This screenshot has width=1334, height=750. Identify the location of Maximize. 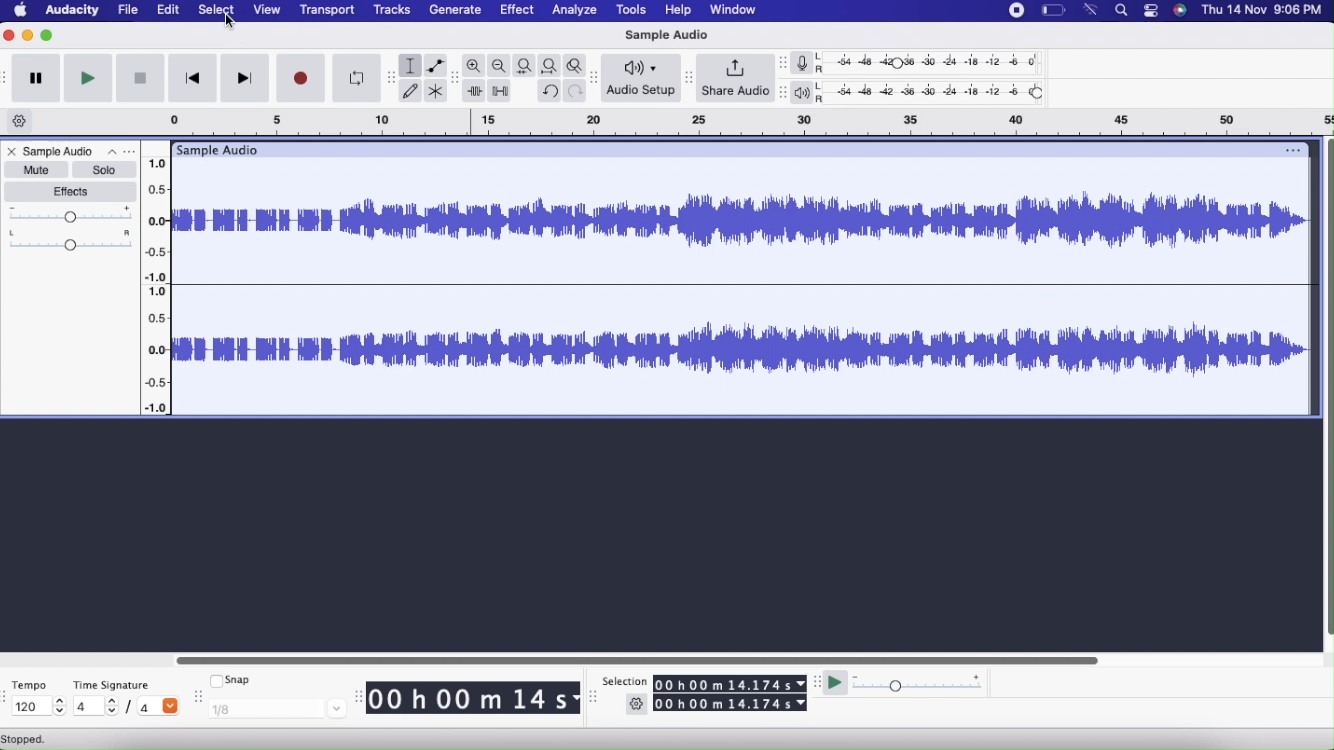
(49, 33).